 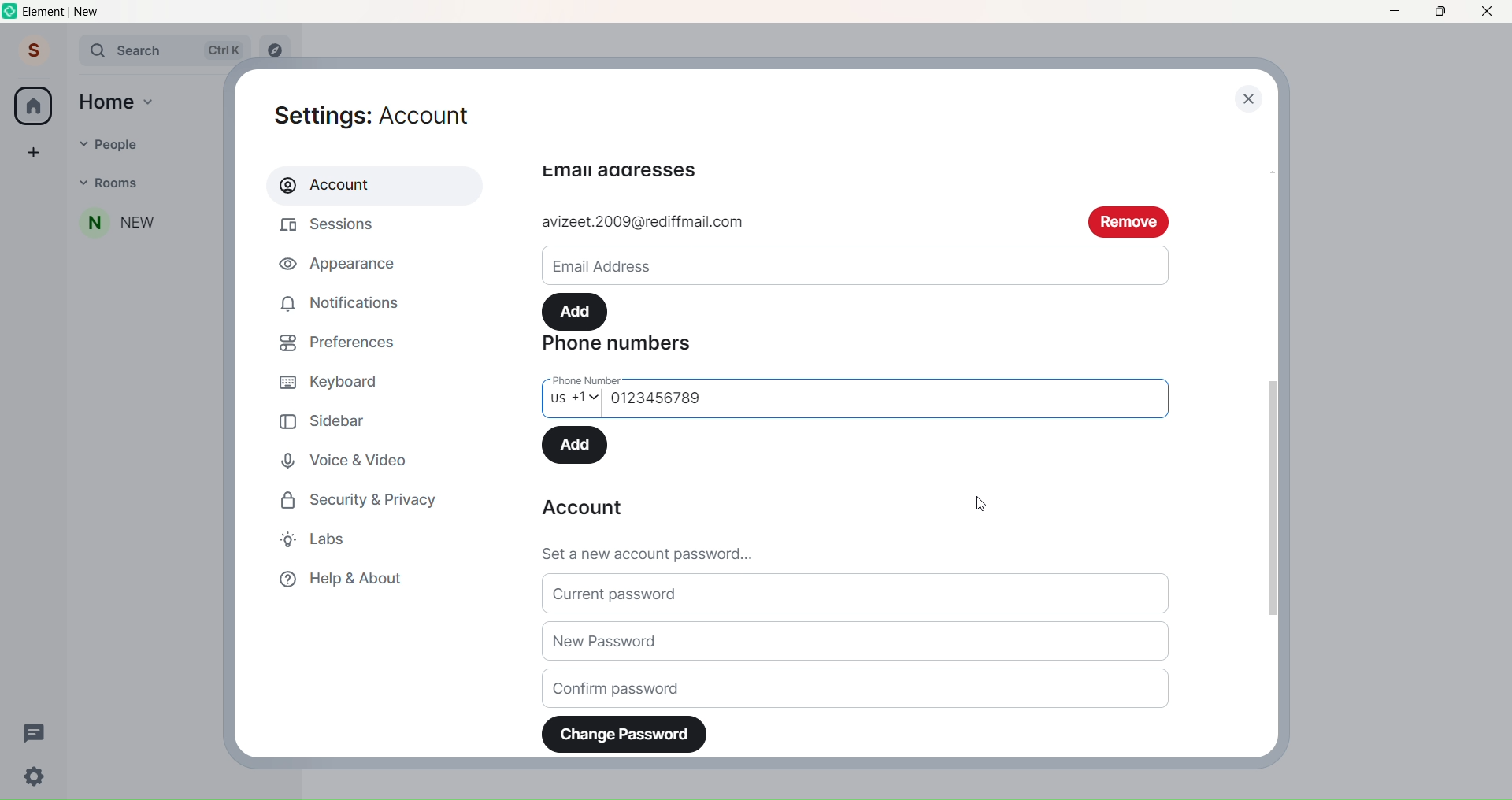 I want to click on Logo, so click(x=9, y=13).